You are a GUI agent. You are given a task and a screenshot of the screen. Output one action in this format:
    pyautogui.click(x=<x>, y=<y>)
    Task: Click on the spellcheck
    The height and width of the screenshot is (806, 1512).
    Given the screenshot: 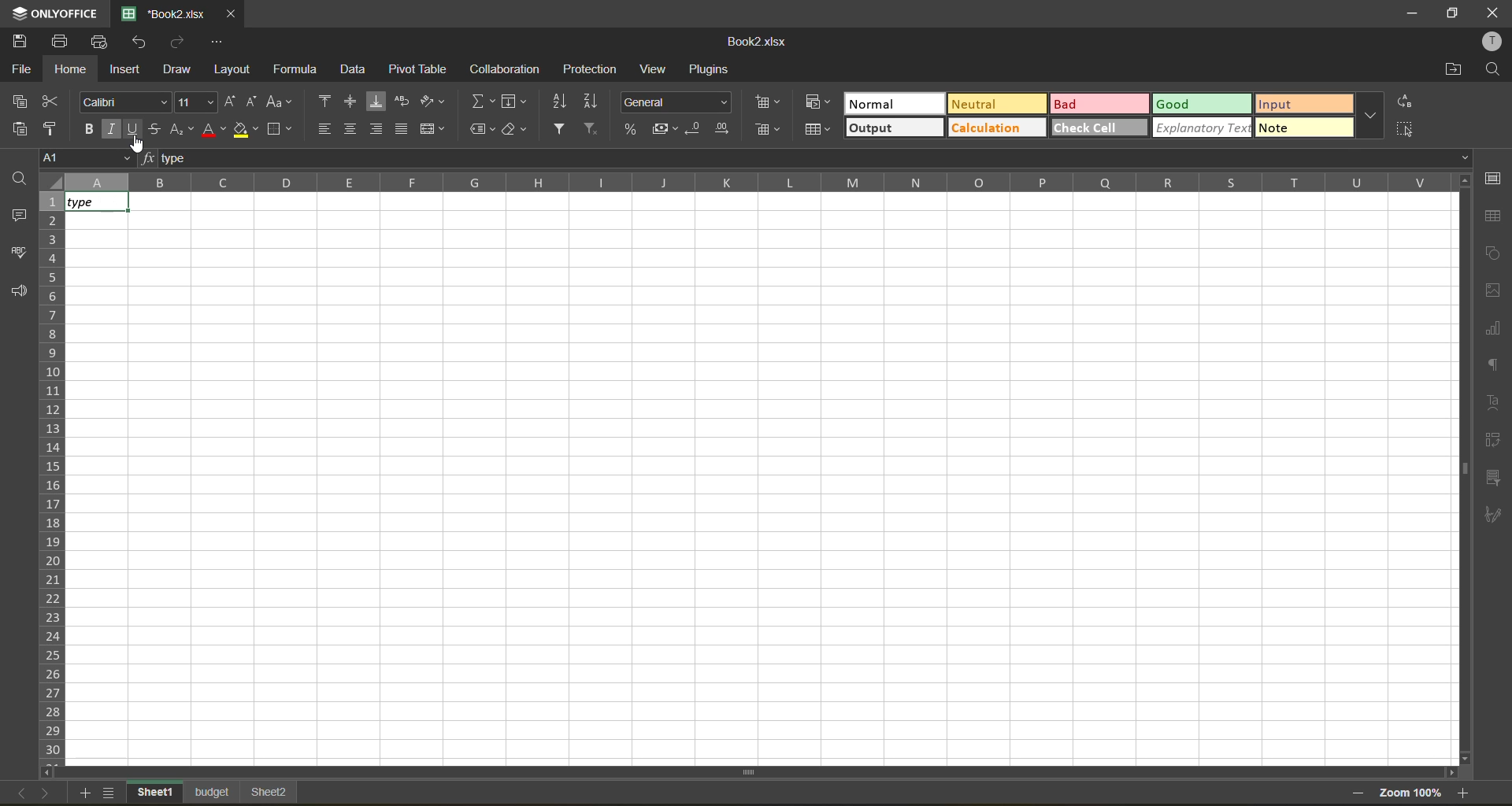 What is the action you would take?
    pyautogui.click(x=20, y=250)
    